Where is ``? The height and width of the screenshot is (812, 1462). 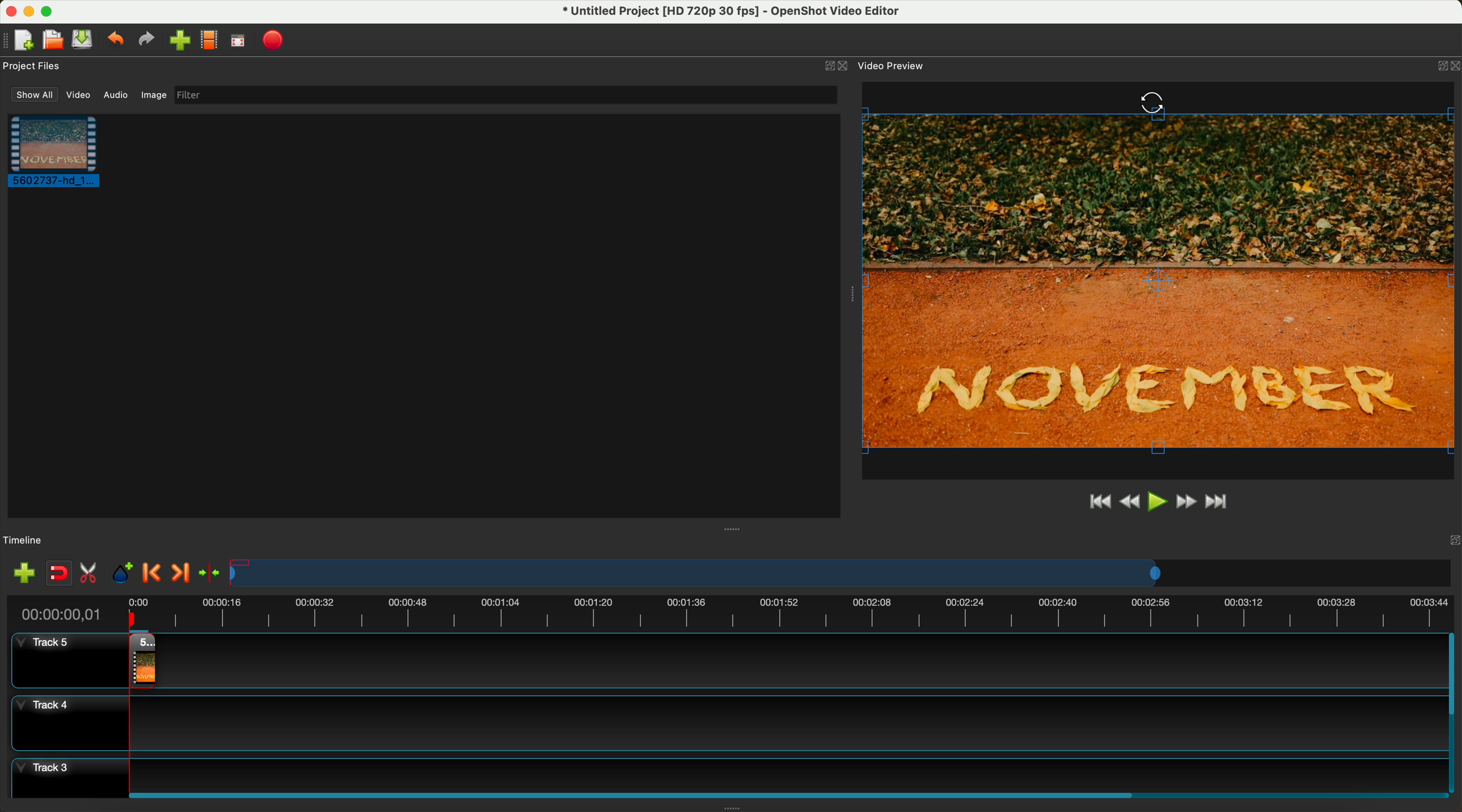
 is located at coordinates (851, 292).